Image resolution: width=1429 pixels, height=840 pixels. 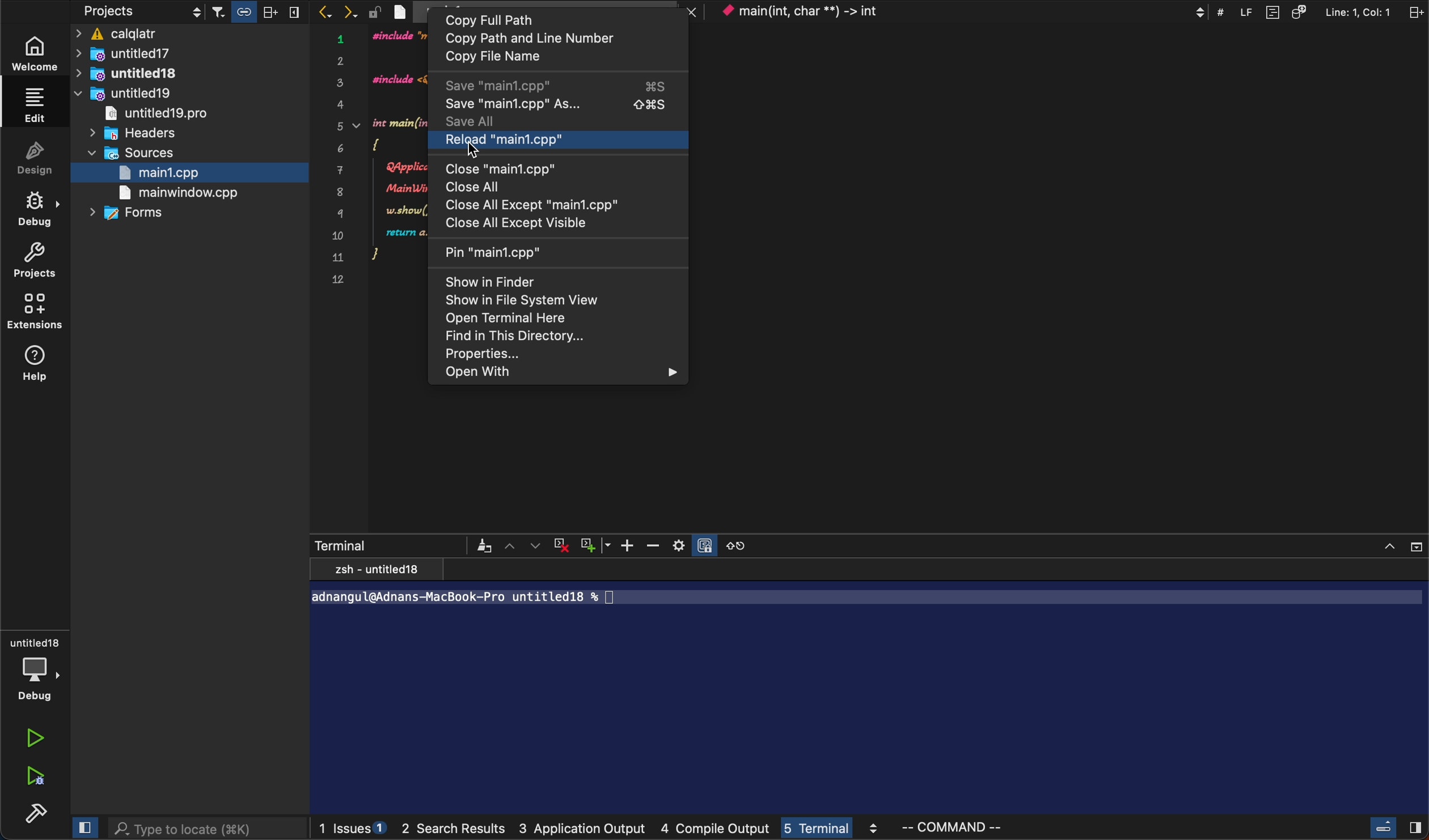 What do you see at coordinates (33, 261) in the screenshot?
I see `projects` at bounding box center [33, 261].